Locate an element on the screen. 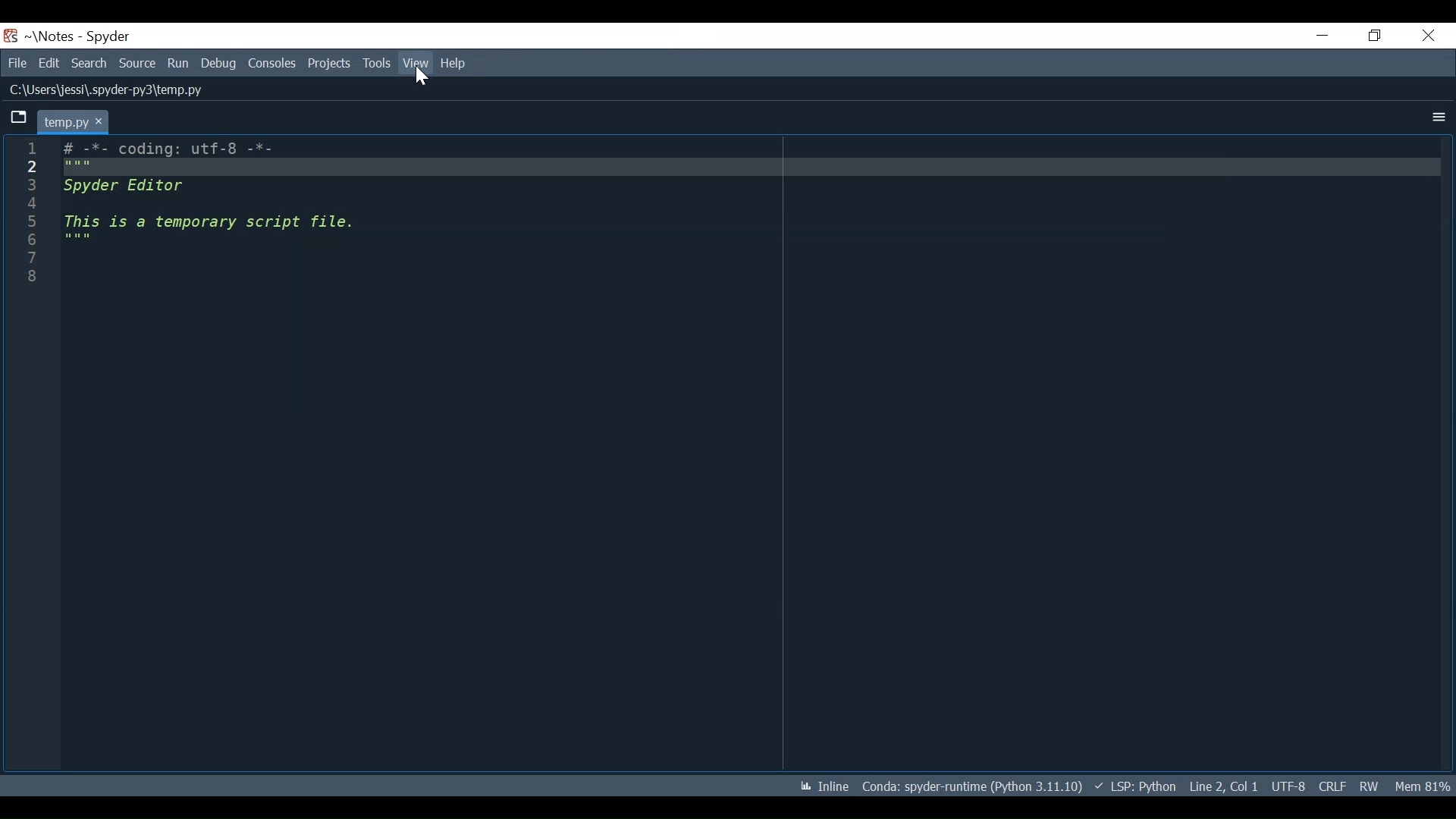 The height and width of the screenshot is (819, 1456). LSP: Python is located at coordinates (1134, 786).